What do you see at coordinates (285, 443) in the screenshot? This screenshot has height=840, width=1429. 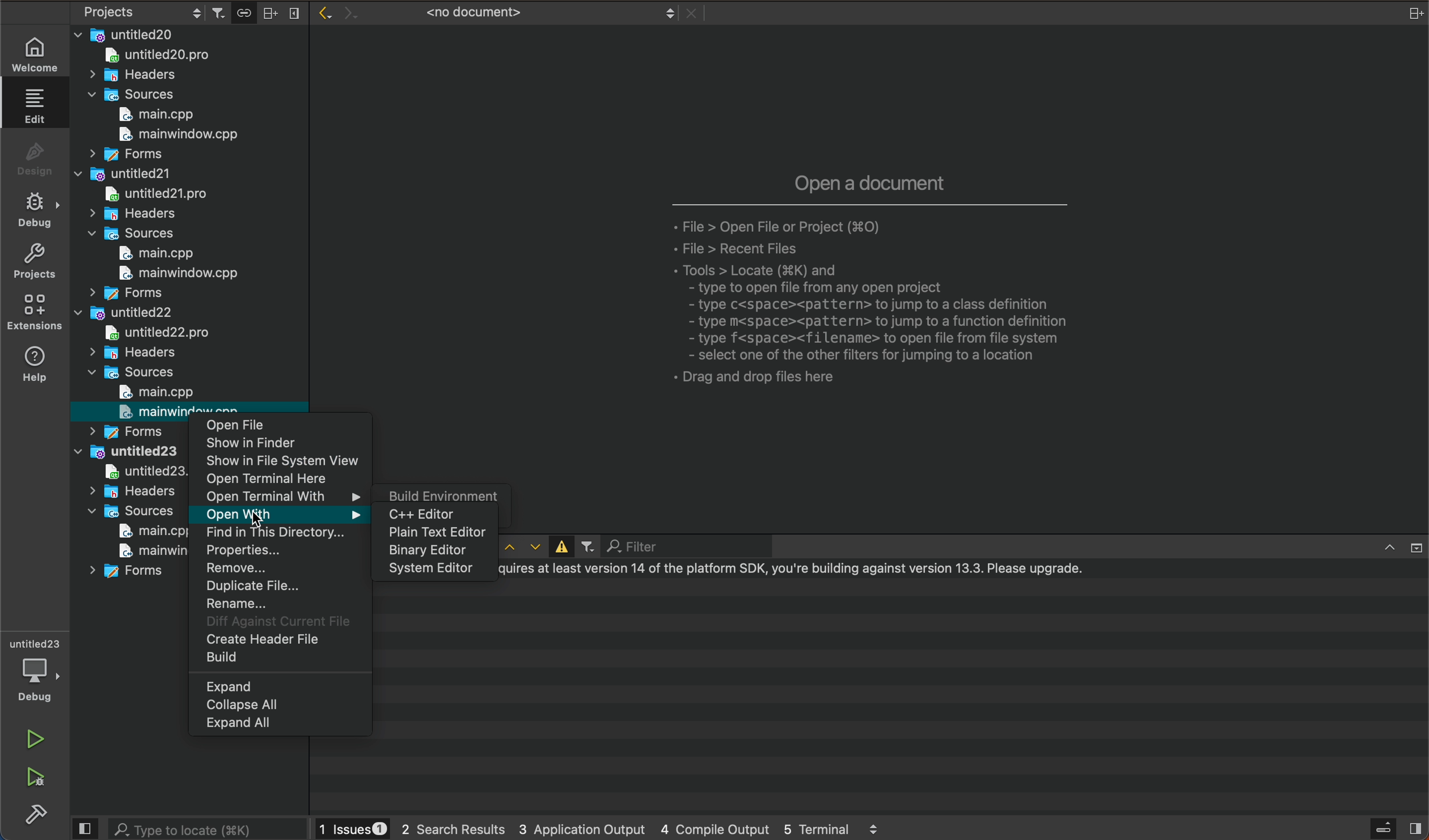 I see `show` at bounding box center [285, 443].